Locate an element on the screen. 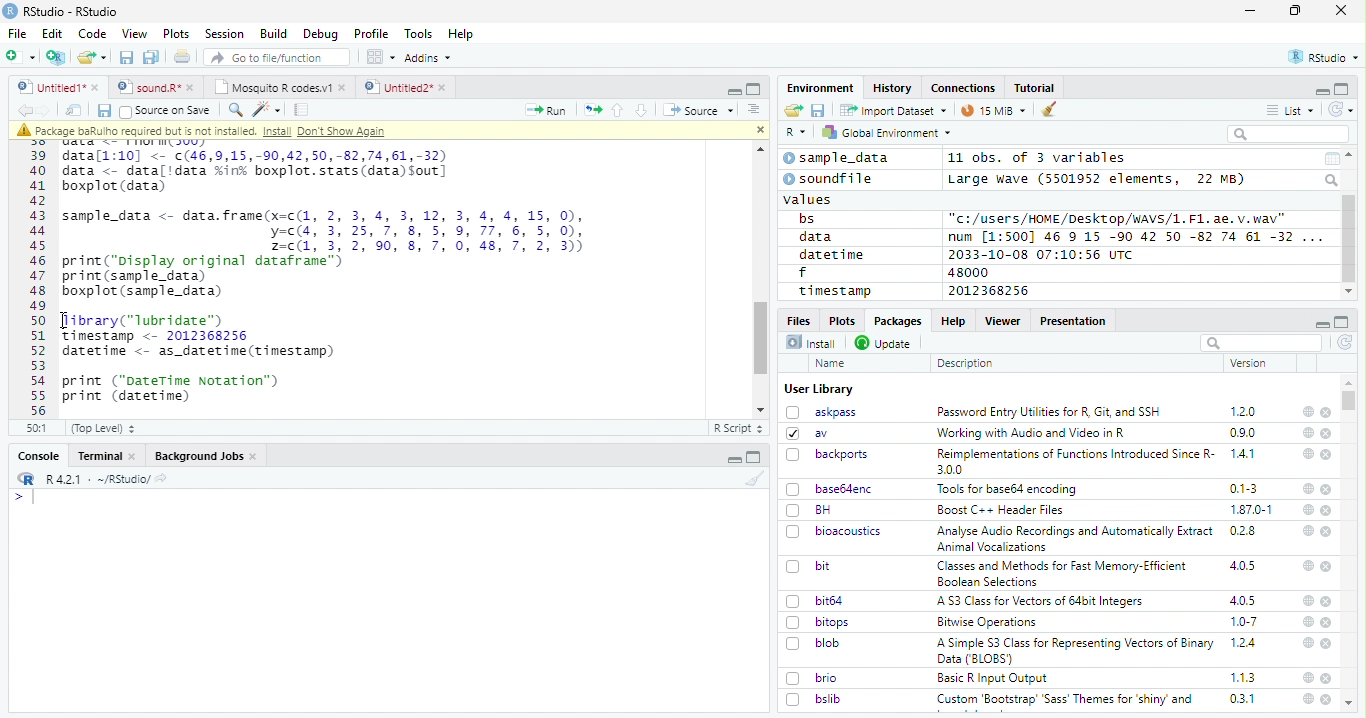 The image size is (1366, 718). Large wave (5501952 elements, 22 MB) is located at coordinates (1099, 179).